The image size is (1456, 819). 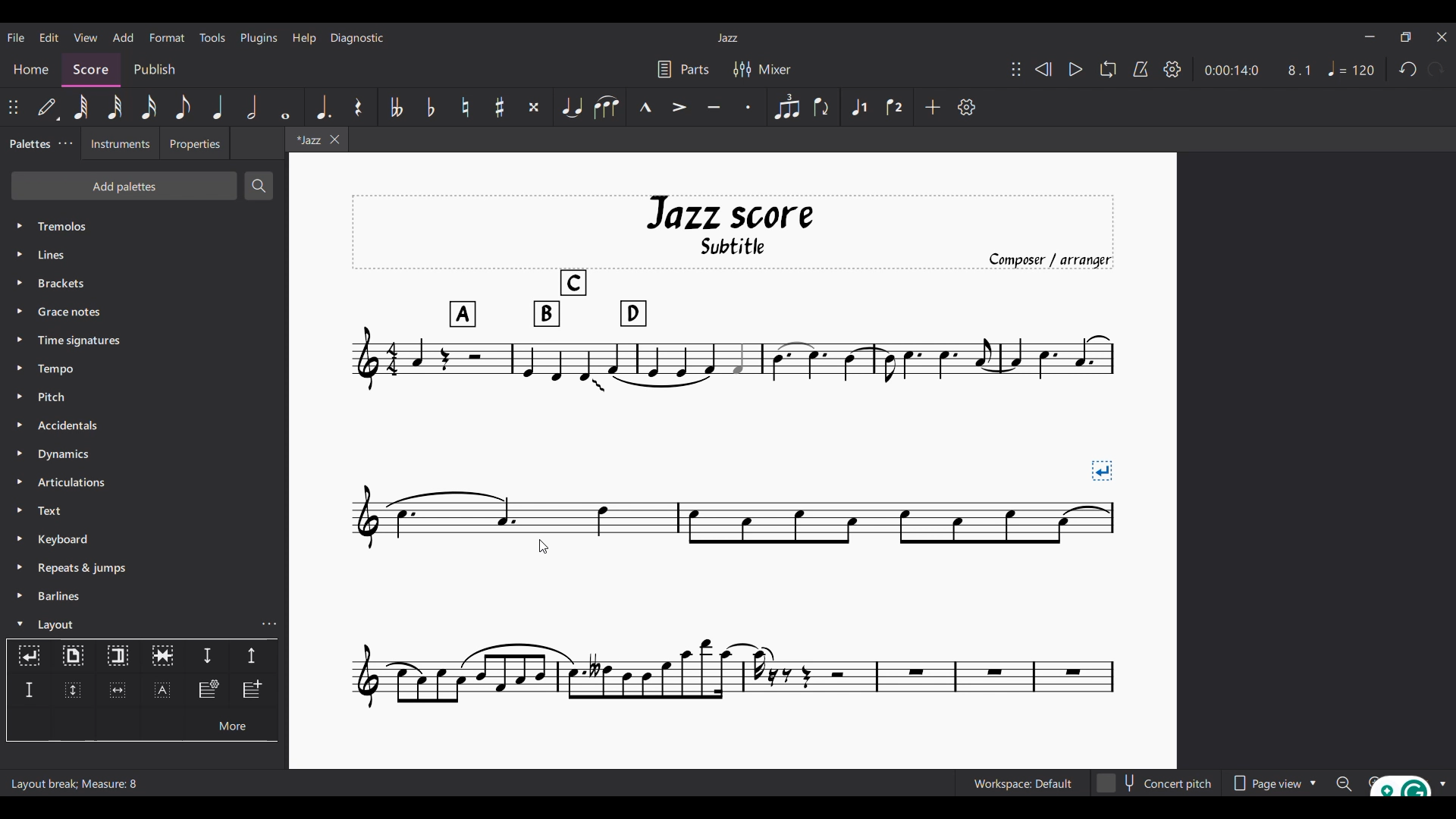 What do you see at coordinates (144, 510) in the screenshot?
I see `Text` at bounding box center [144, 510].